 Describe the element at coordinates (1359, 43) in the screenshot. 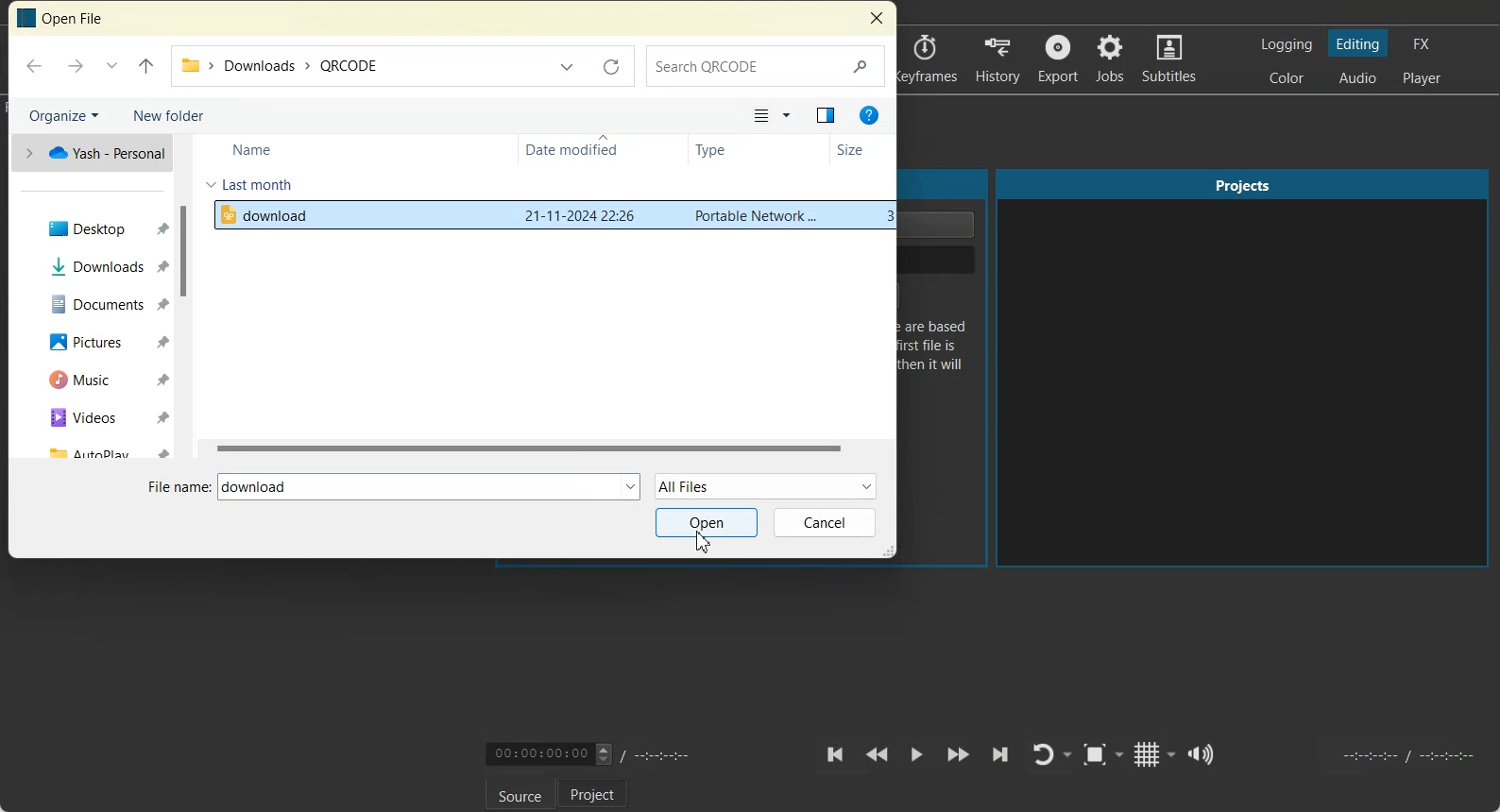

I see `Switch to the Editing layout` at that location.